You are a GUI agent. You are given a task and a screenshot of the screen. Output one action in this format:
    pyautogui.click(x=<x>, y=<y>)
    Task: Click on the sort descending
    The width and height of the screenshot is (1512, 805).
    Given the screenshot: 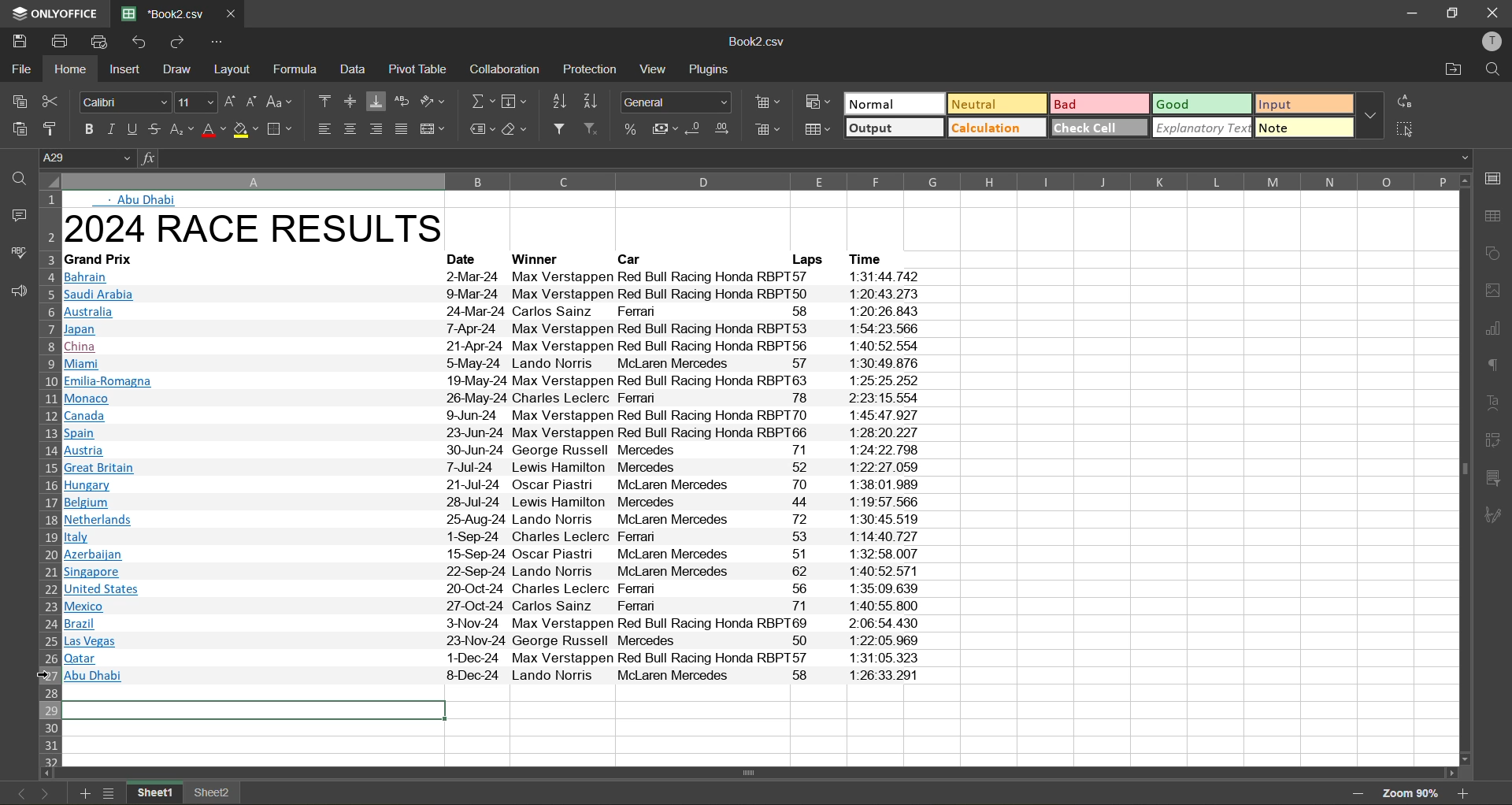 What is the action you would take?
    pyautogui.click(x=591, y=102)
    